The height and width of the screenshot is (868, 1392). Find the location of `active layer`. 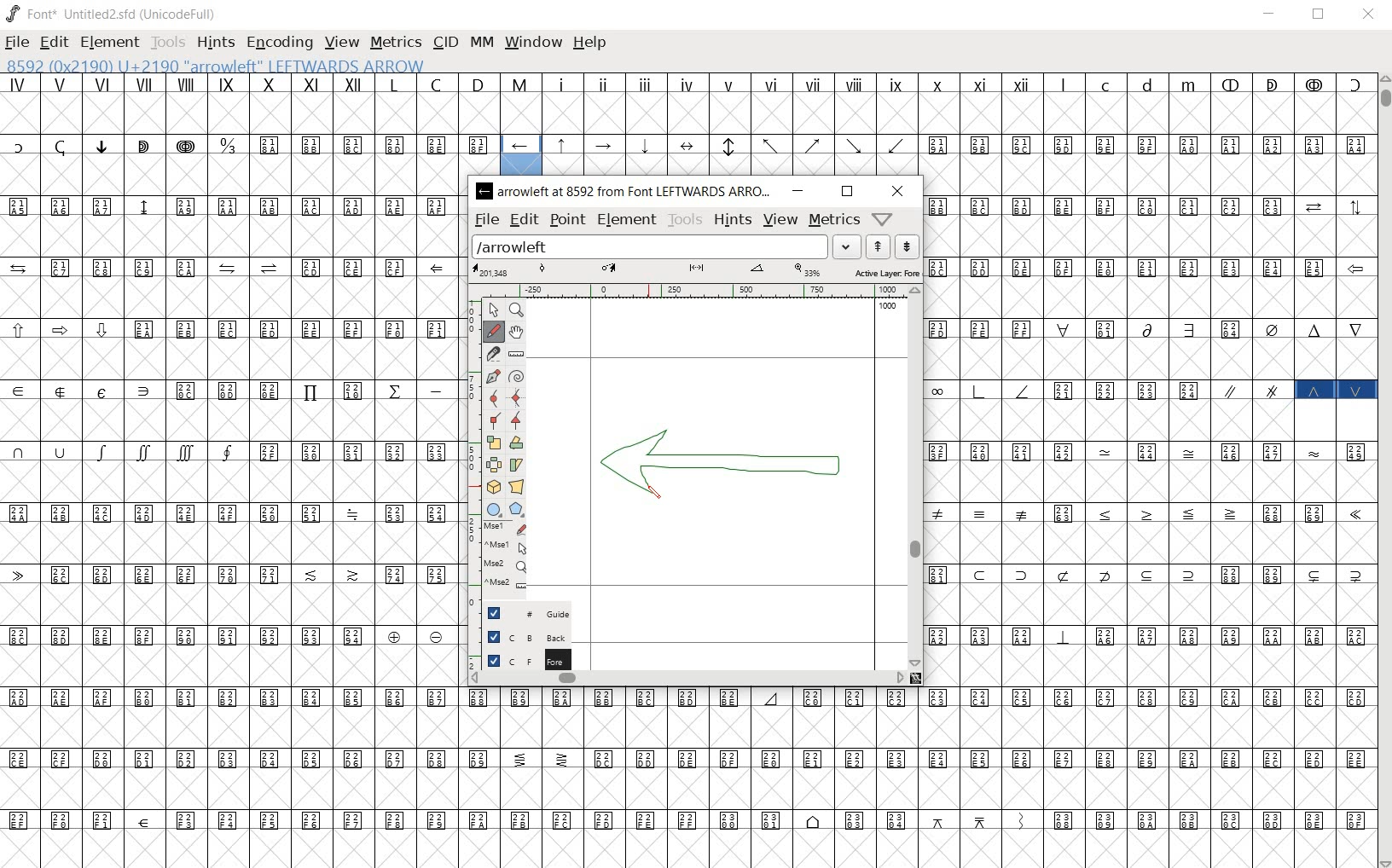

active layer is located at coordinates (696, 271).